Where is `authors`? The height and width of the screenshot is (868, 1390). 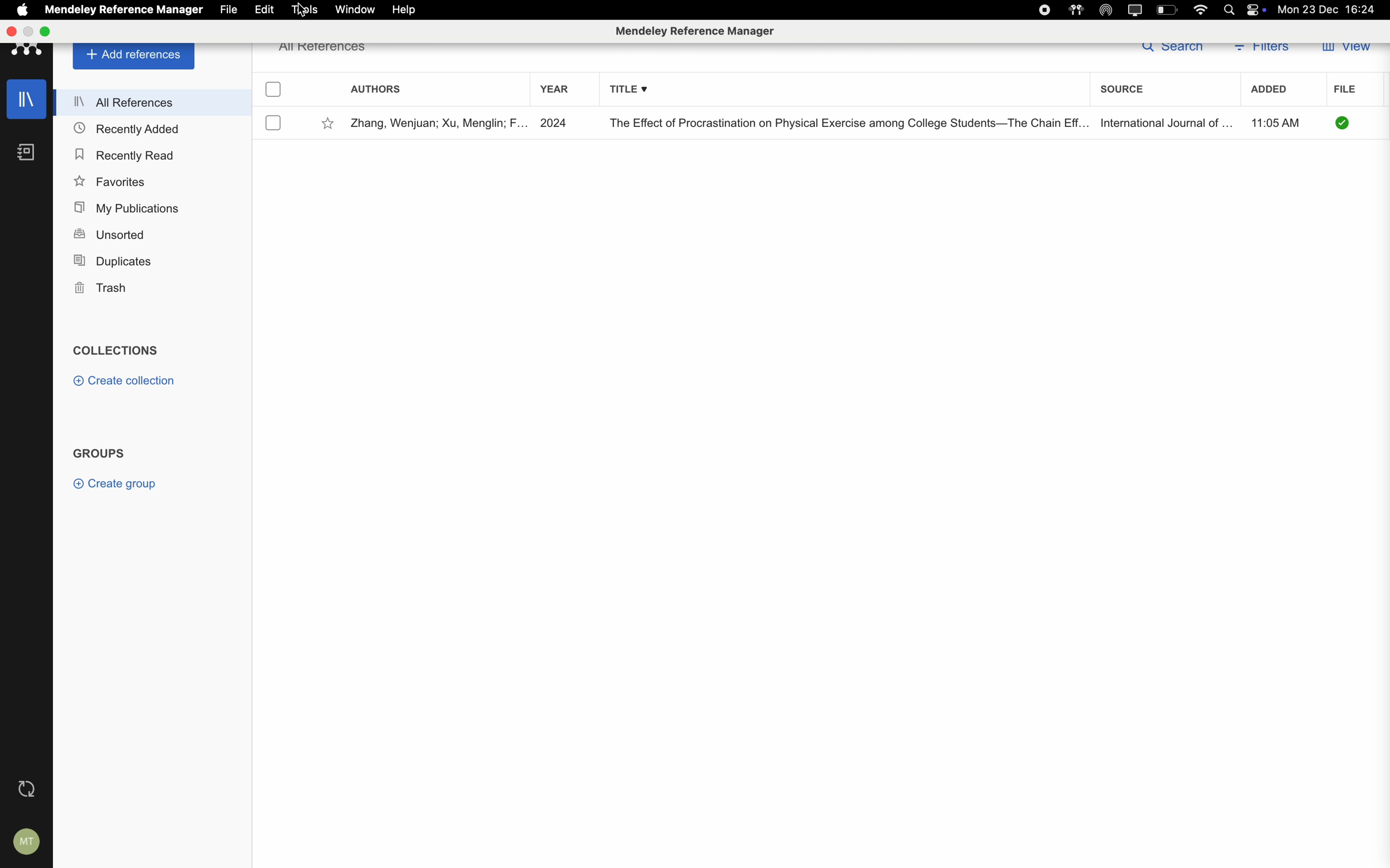 authors is located at coordinates (376, 87).